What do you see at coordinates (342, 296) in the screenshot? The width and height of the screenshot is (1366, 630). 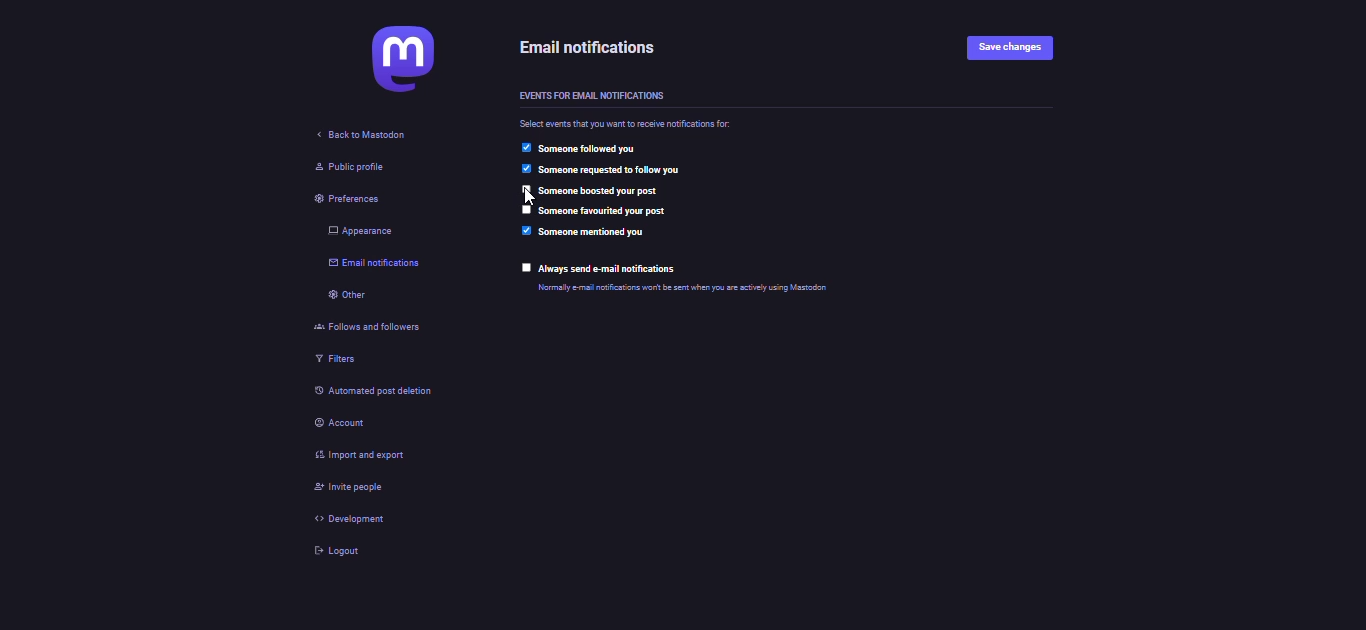 I see `other` at bounding box center [342, 296].